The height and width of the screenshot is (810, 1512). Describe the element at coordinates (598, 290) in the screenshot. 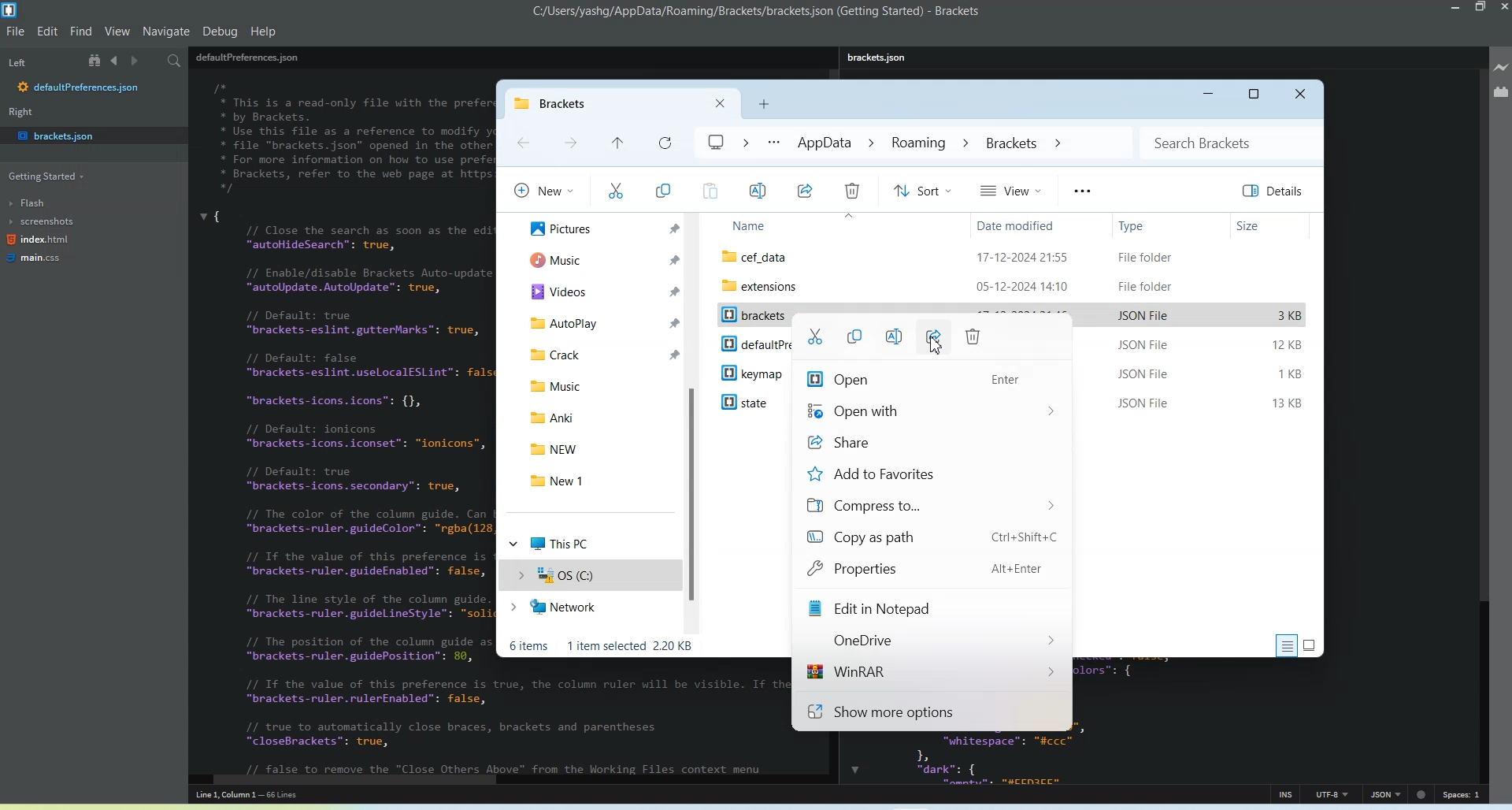

I see `Videos` at that location.